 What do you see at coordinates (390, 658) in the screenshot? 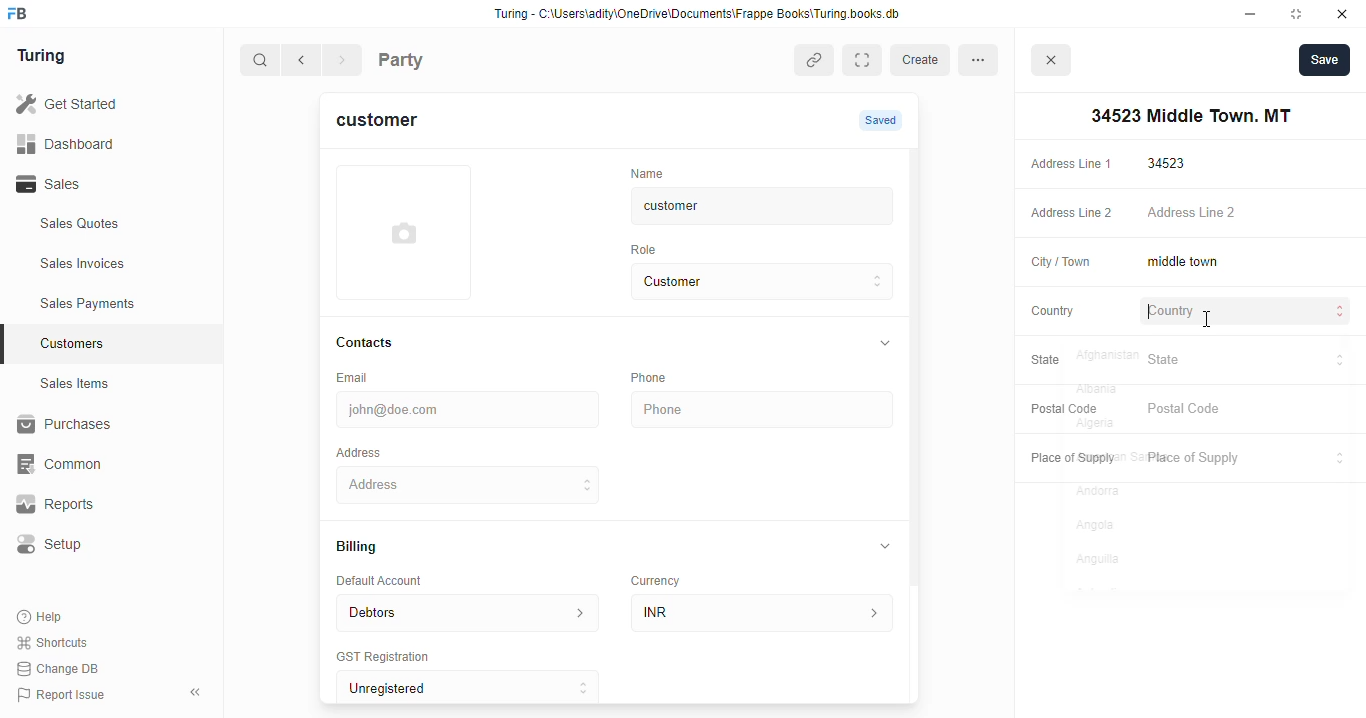
I see `‘GST Registration` at bounding box center [390, 658].